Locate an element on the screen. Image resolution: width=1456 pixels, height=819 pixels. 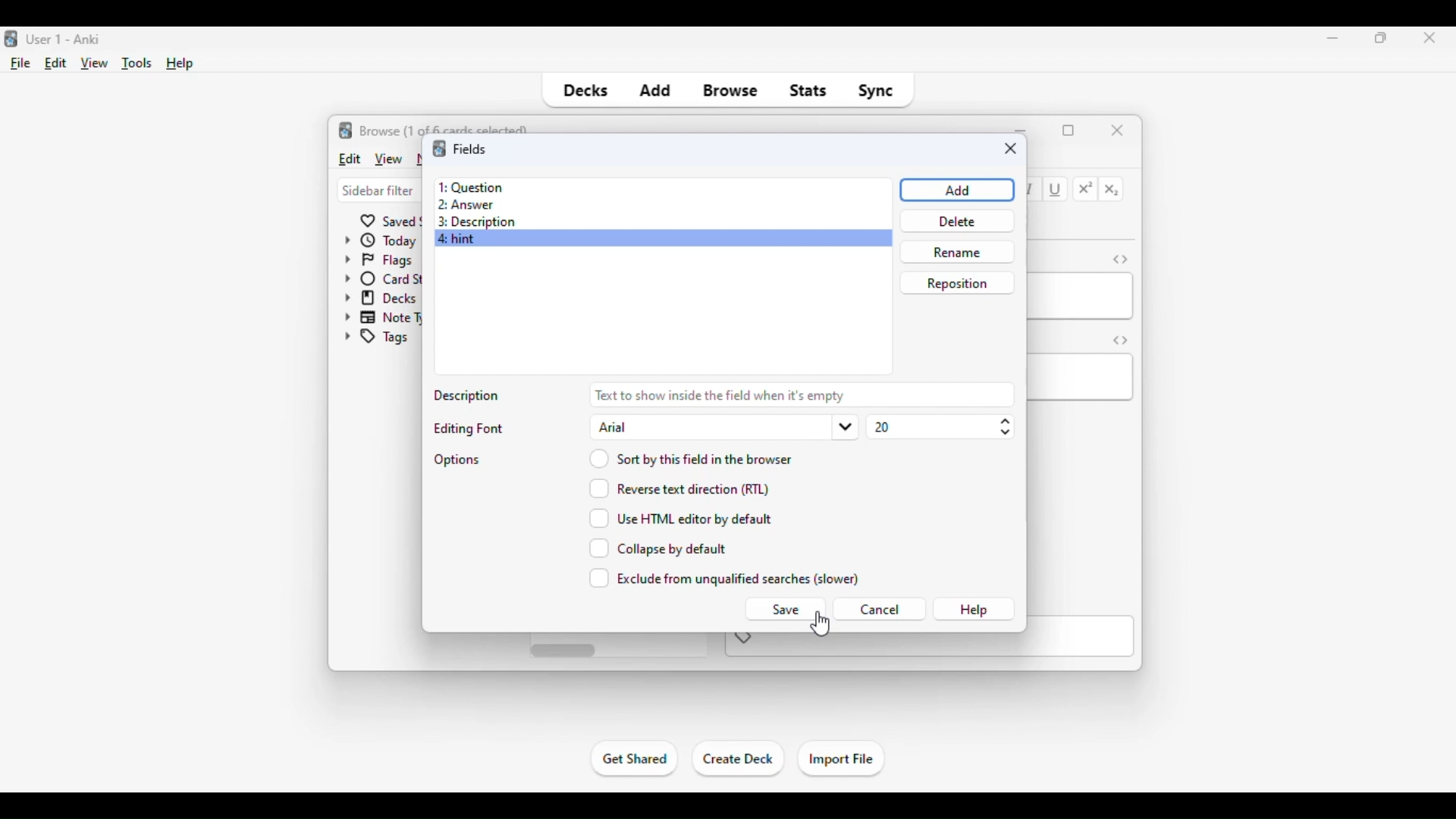
minimize is located at coordinates (1022, 129).